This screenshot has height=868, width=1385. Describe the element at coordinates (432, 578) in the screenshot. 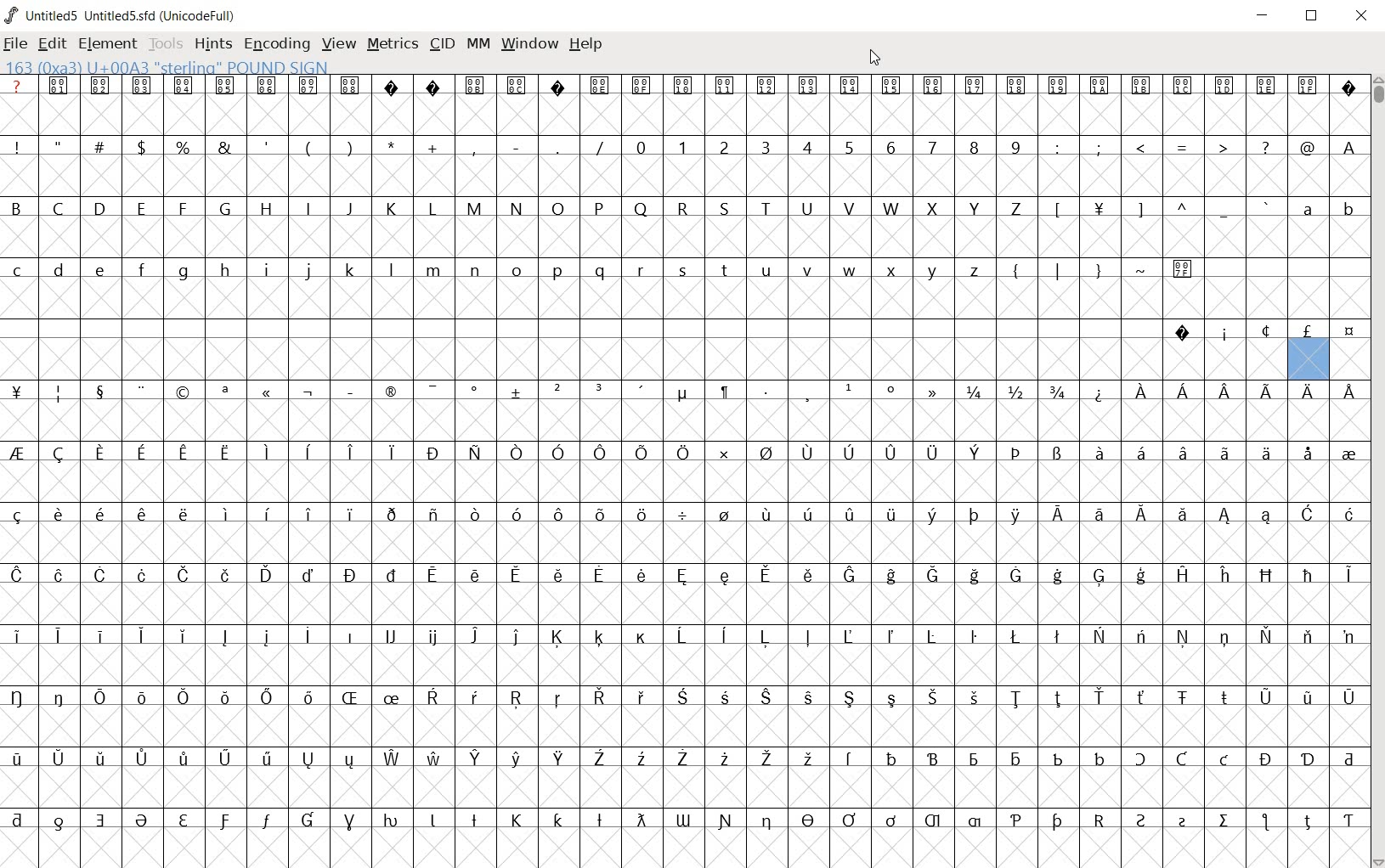

I see `Symbol` at that location.